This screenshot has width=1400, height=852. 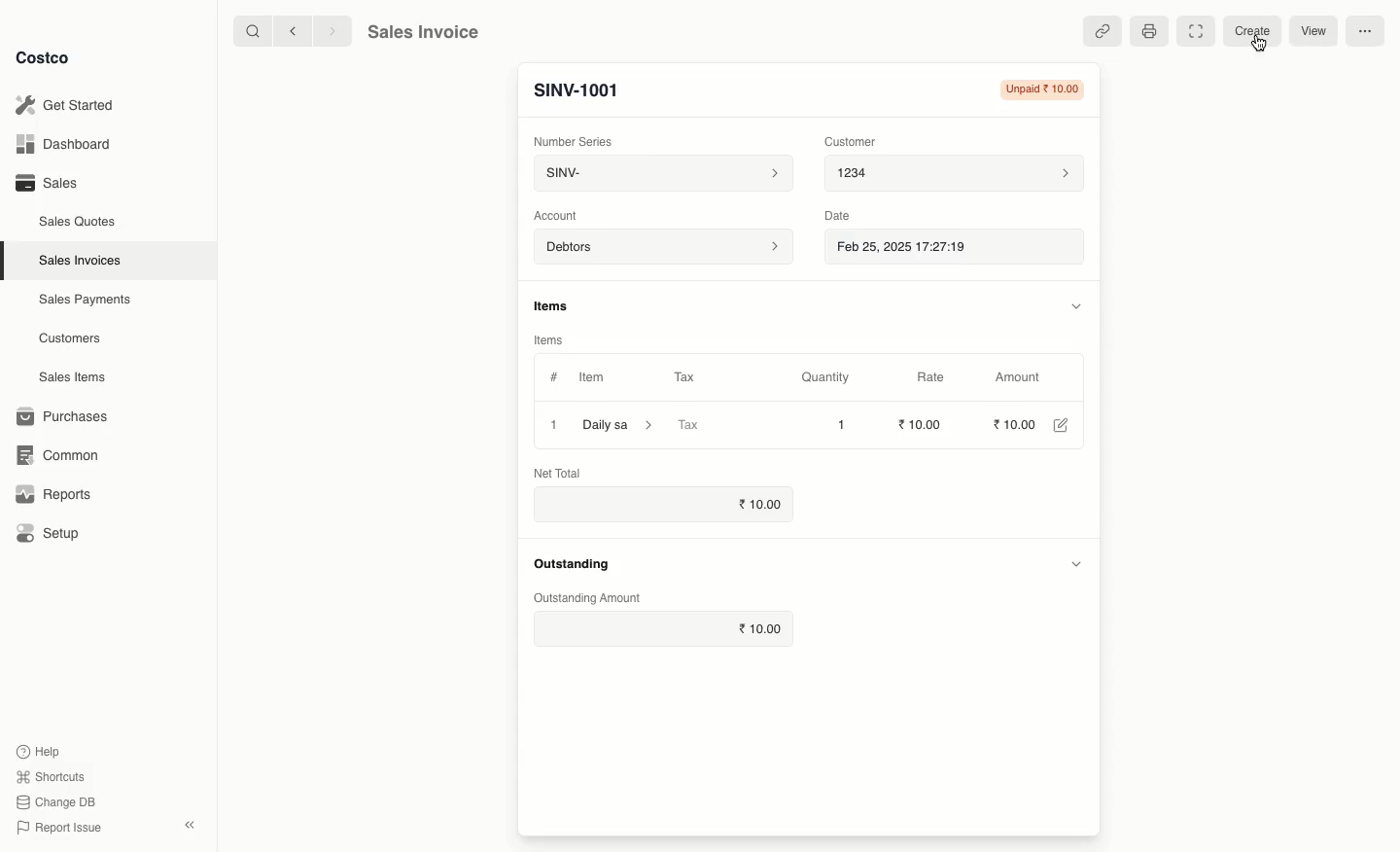 What do you see at coordinates (557, 473) in the screenshot?
I see `Net Total` at bounding box center [557, 473].